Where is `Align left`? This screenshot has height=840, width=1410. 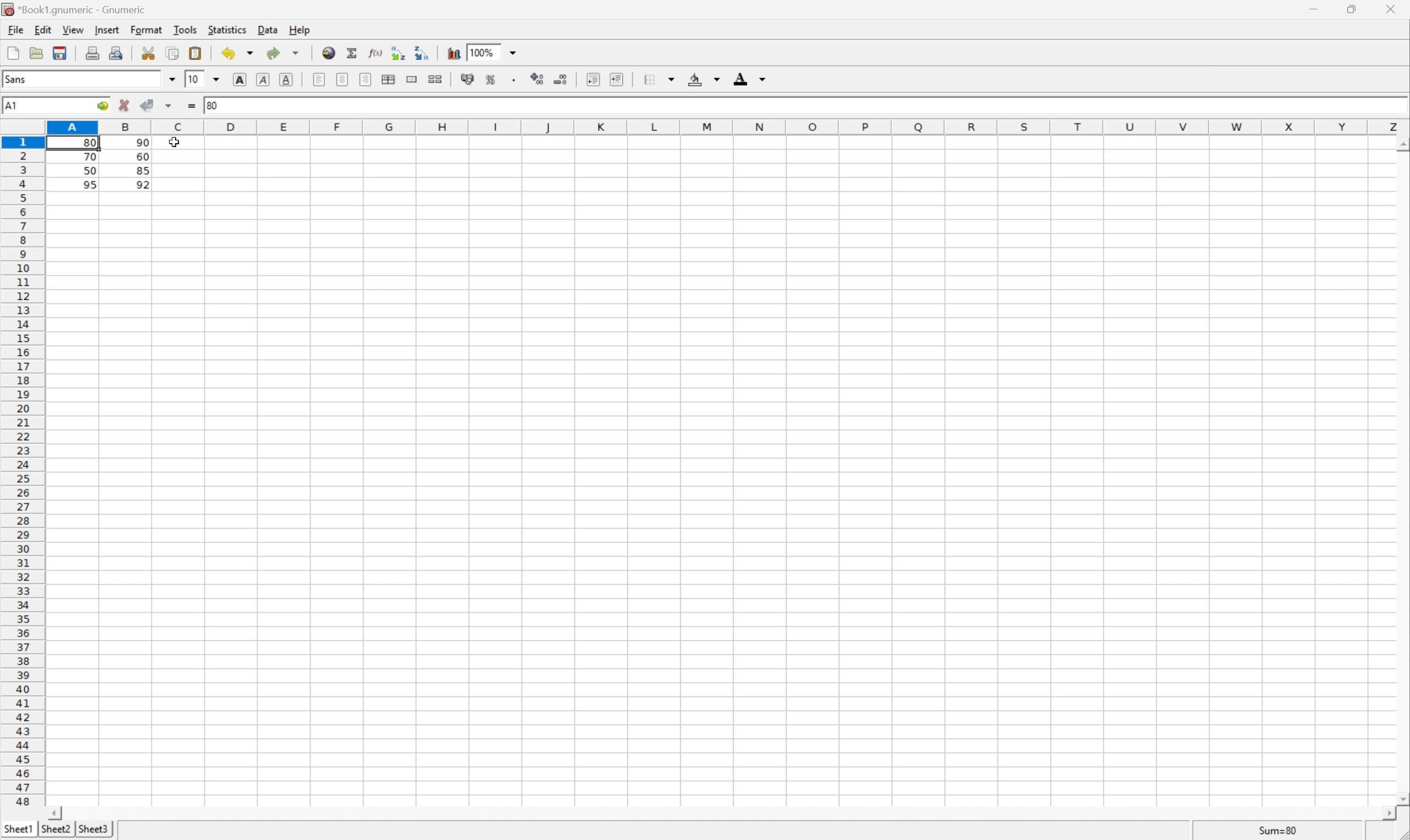 Align left is located at coordinates (367, 79).